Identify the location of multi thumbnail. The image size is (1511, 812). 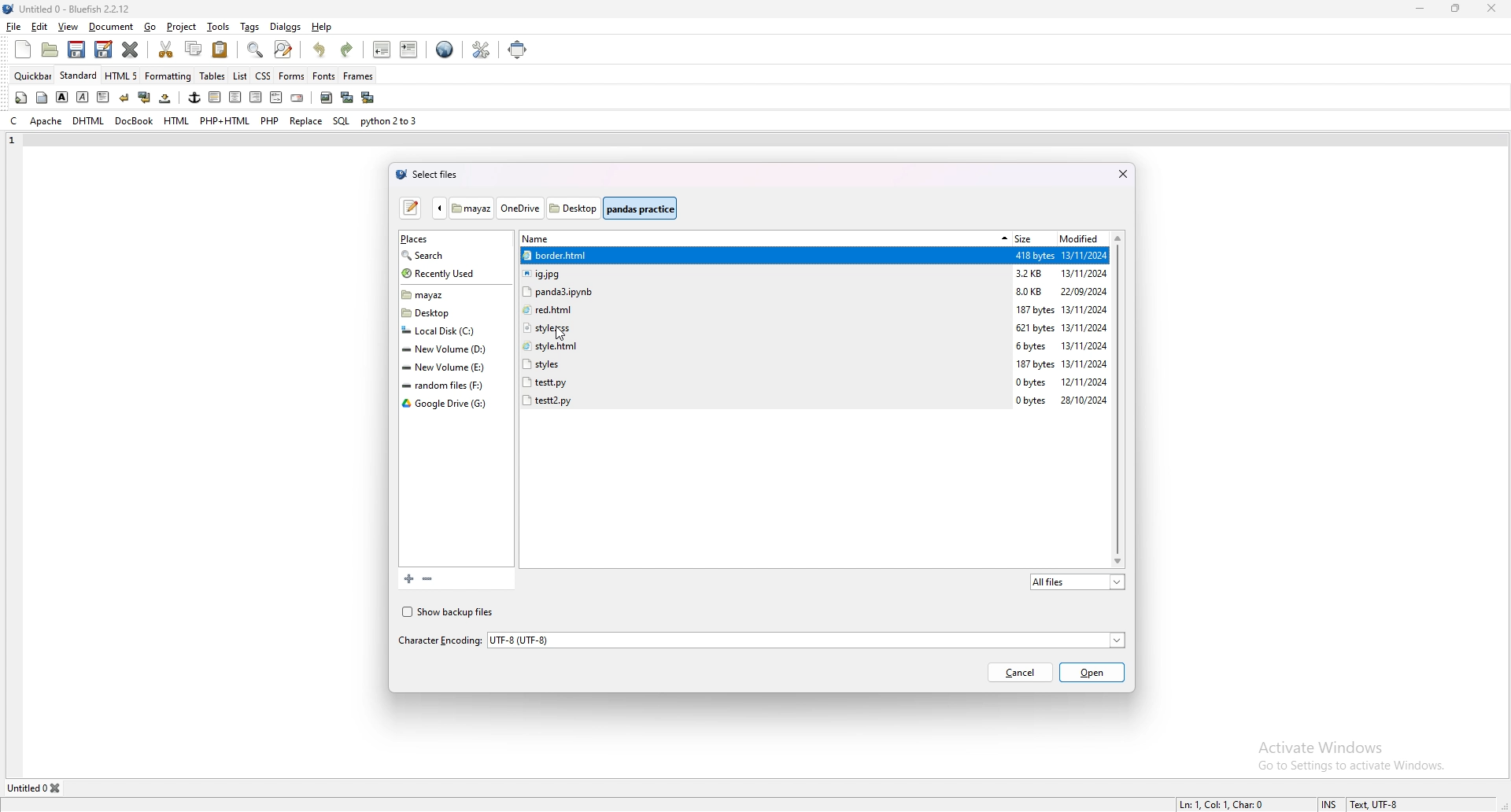
(368, 97).